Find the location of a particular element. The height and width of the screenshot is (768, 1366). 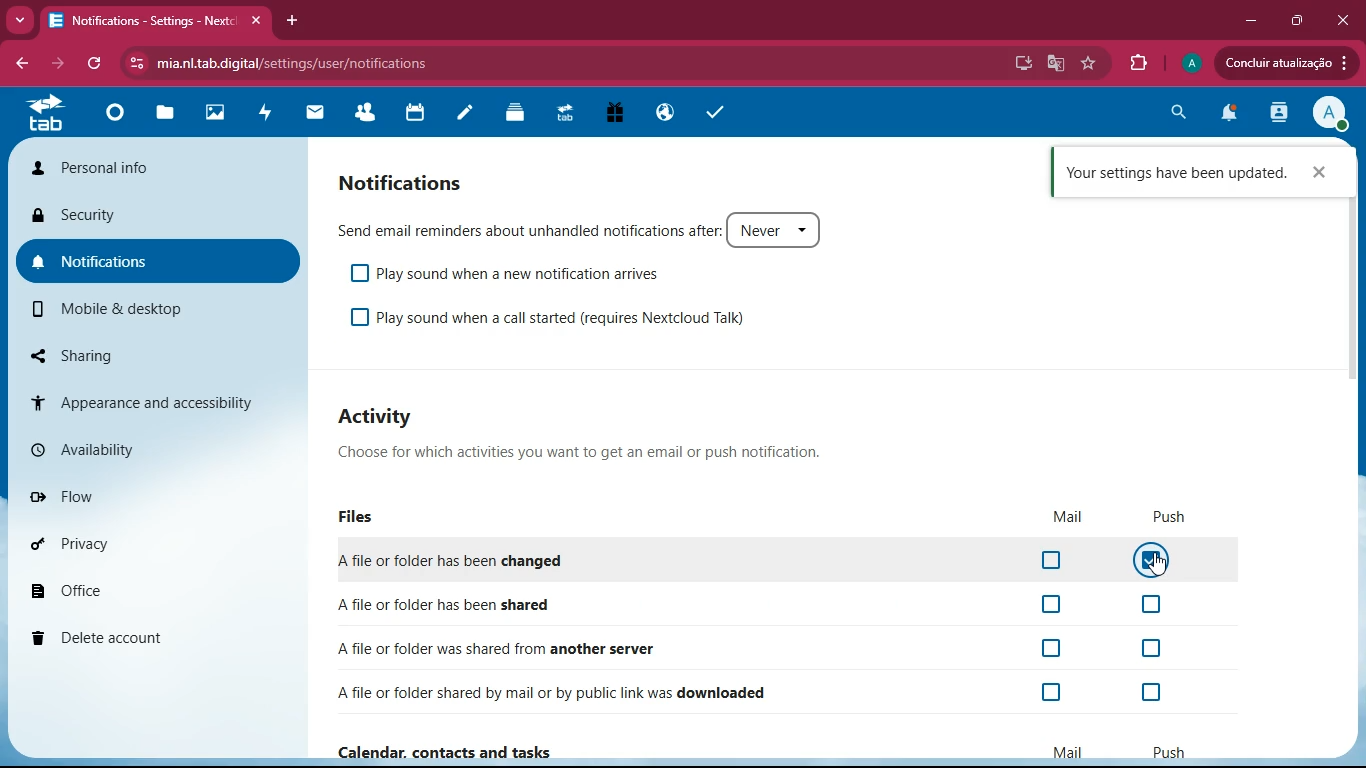

office is located at coordinates (129, 584).